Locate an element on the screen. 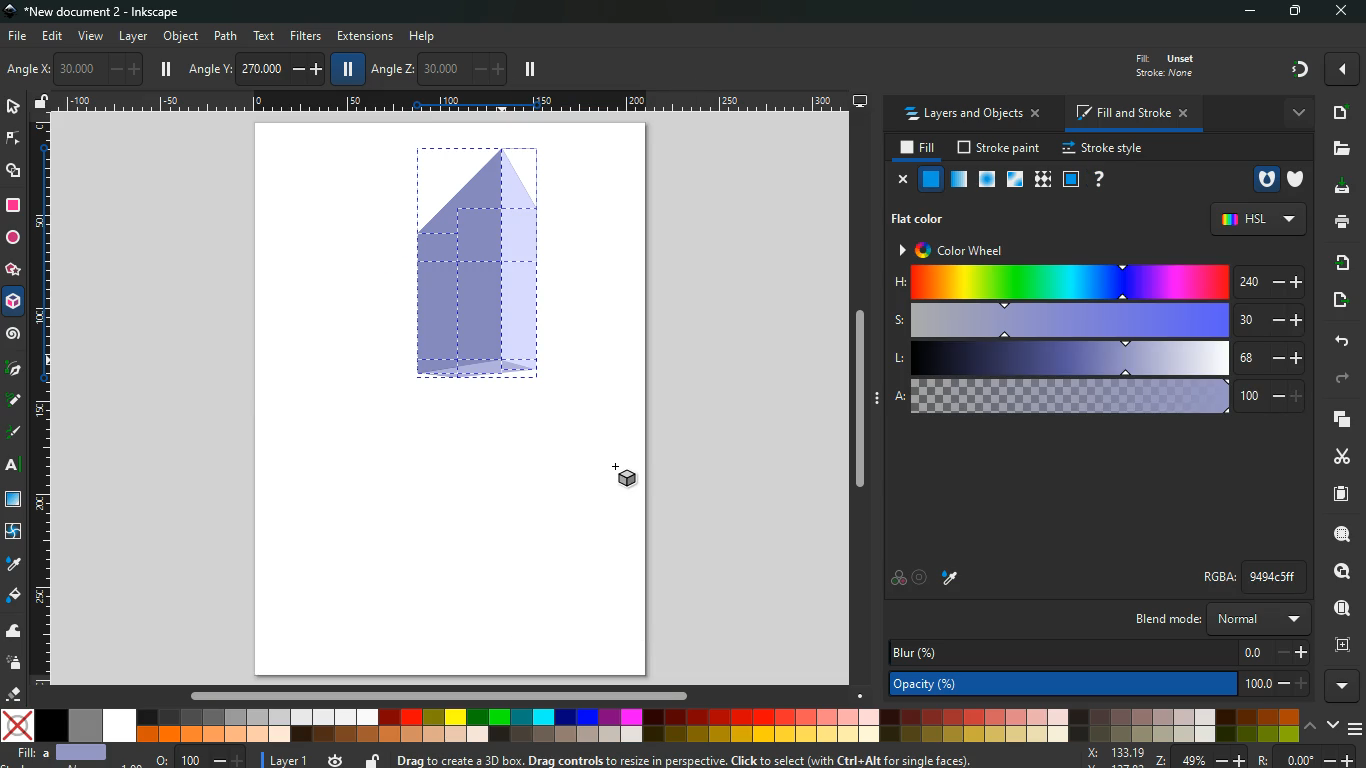  down is located at coordinates (1334, 726).